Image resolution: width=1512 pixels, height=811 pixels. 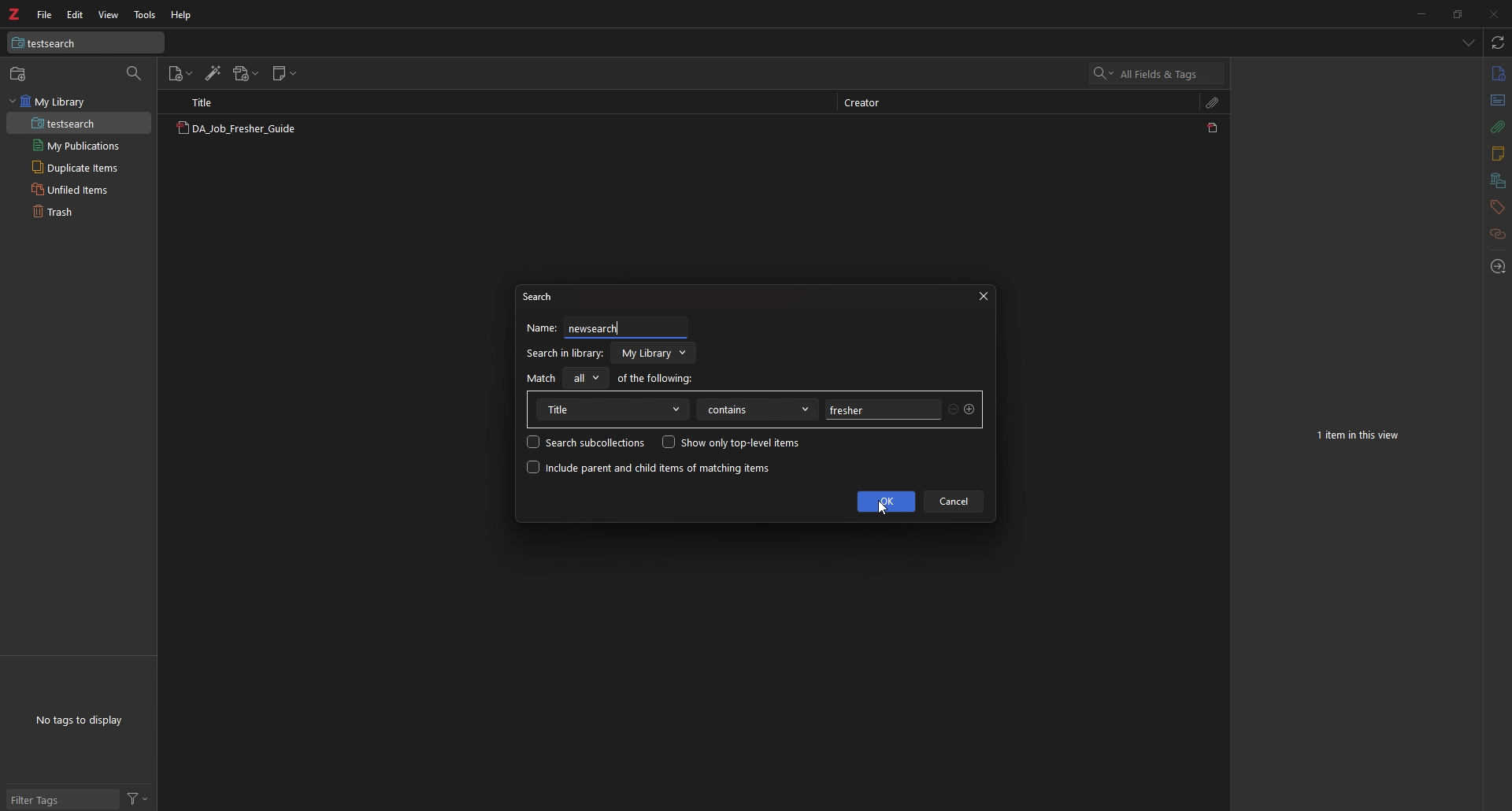 I want to click on No tags to display, so click(x=79, y=720).